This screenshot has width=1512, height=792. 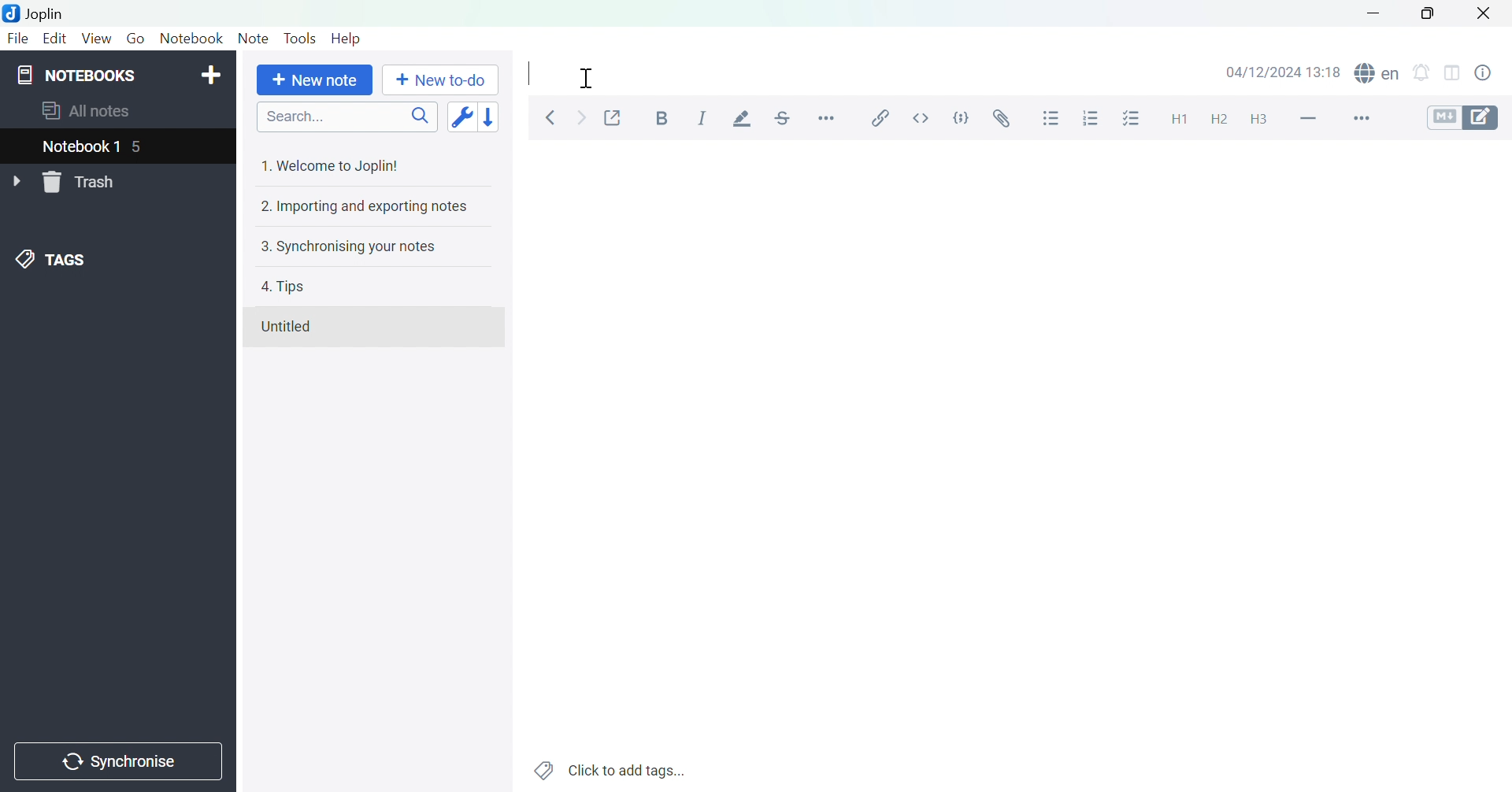 What do you see at coordinates (295, 328) in the screenshot?
I see `Untitled` at bounding box center [295, 328].